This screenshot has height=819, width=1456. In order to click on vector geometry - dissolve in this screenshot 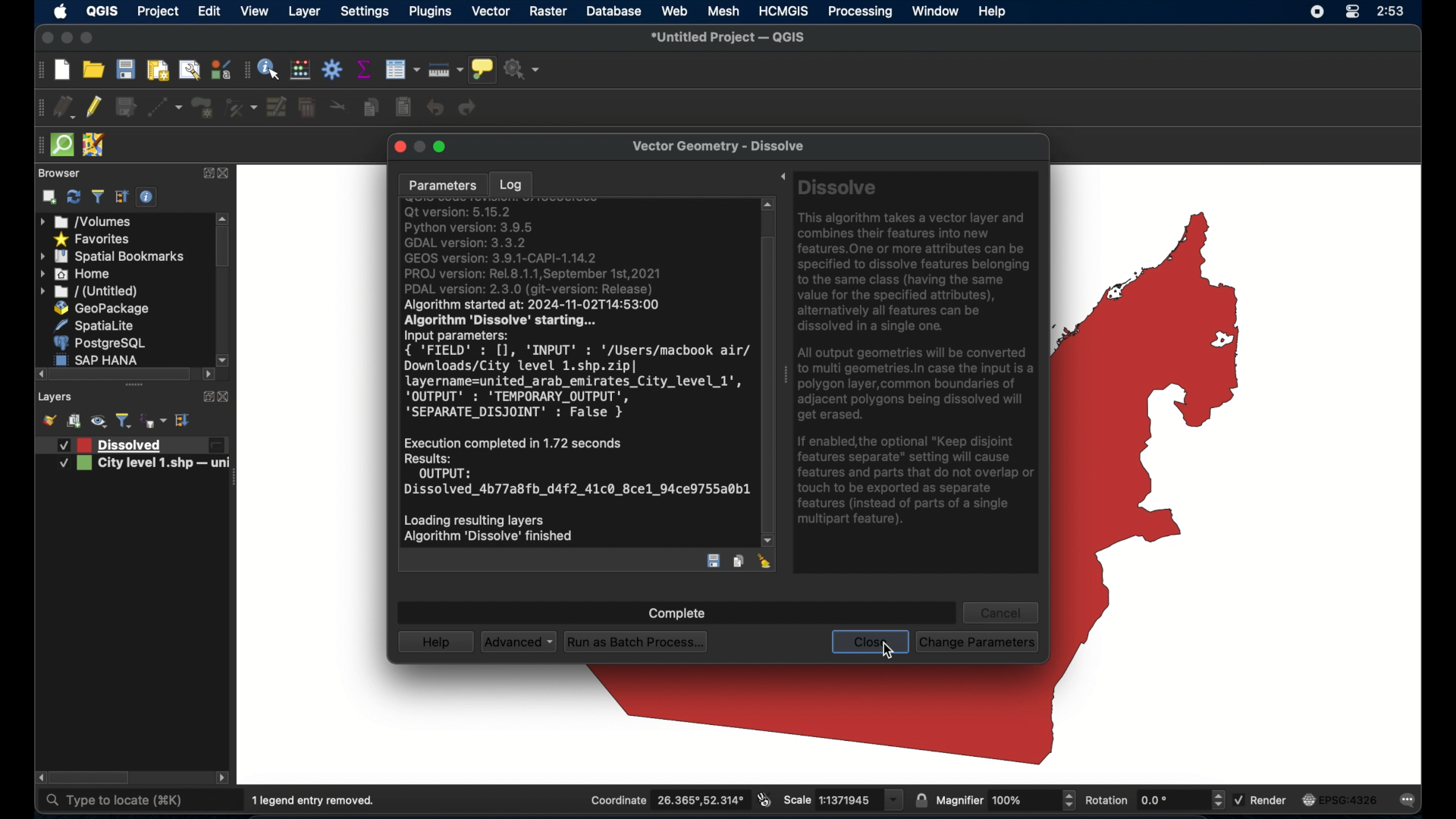, I will do `click(720, 148)`.